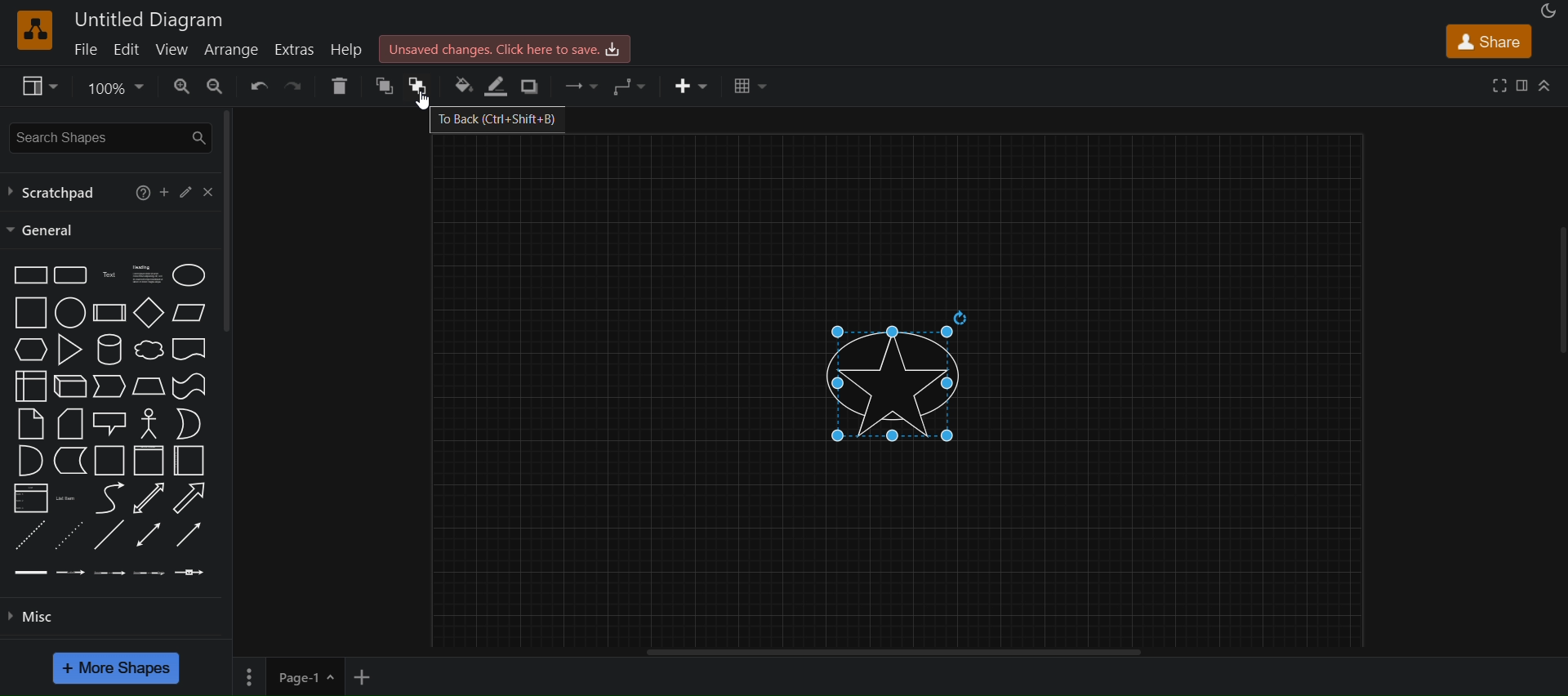  Describe the element at coordinates (127, 49) in the screenshot. I see `edit` at that location.